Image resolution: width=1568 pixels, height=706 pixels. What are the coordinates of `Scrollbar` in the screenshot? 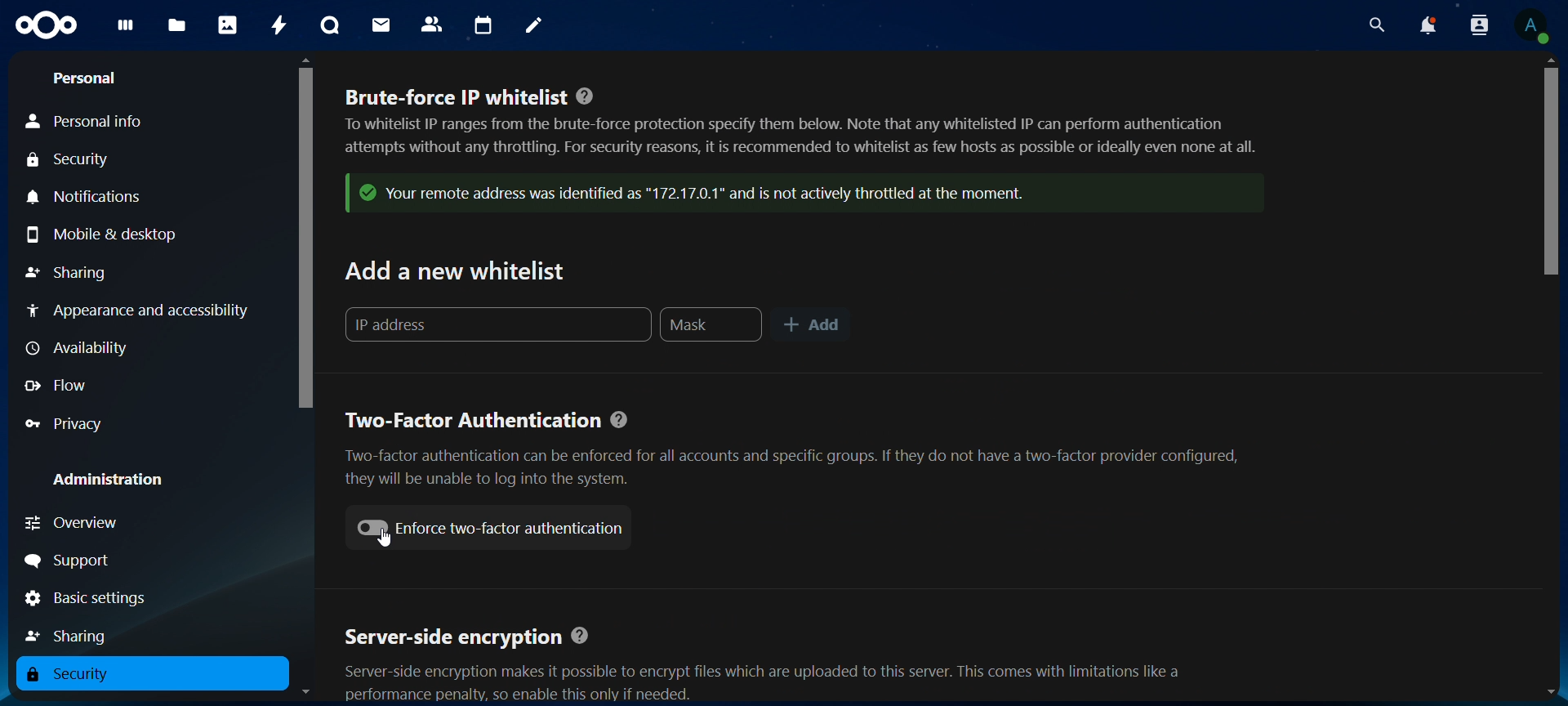 It's located at (1548, 378).